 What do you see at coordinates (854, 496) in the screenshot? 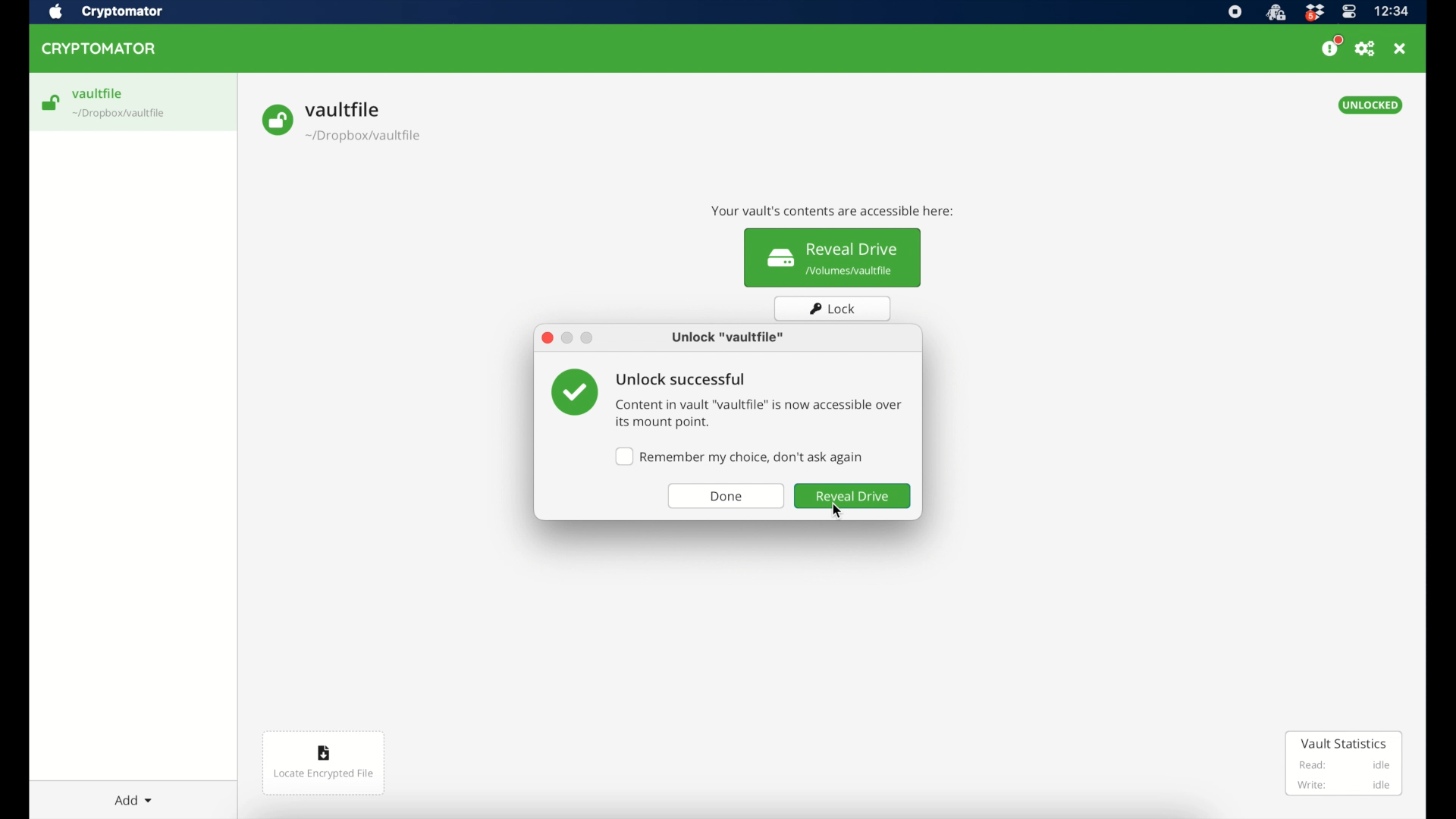
I see `reveal drive` at bounding box center [854, 496].